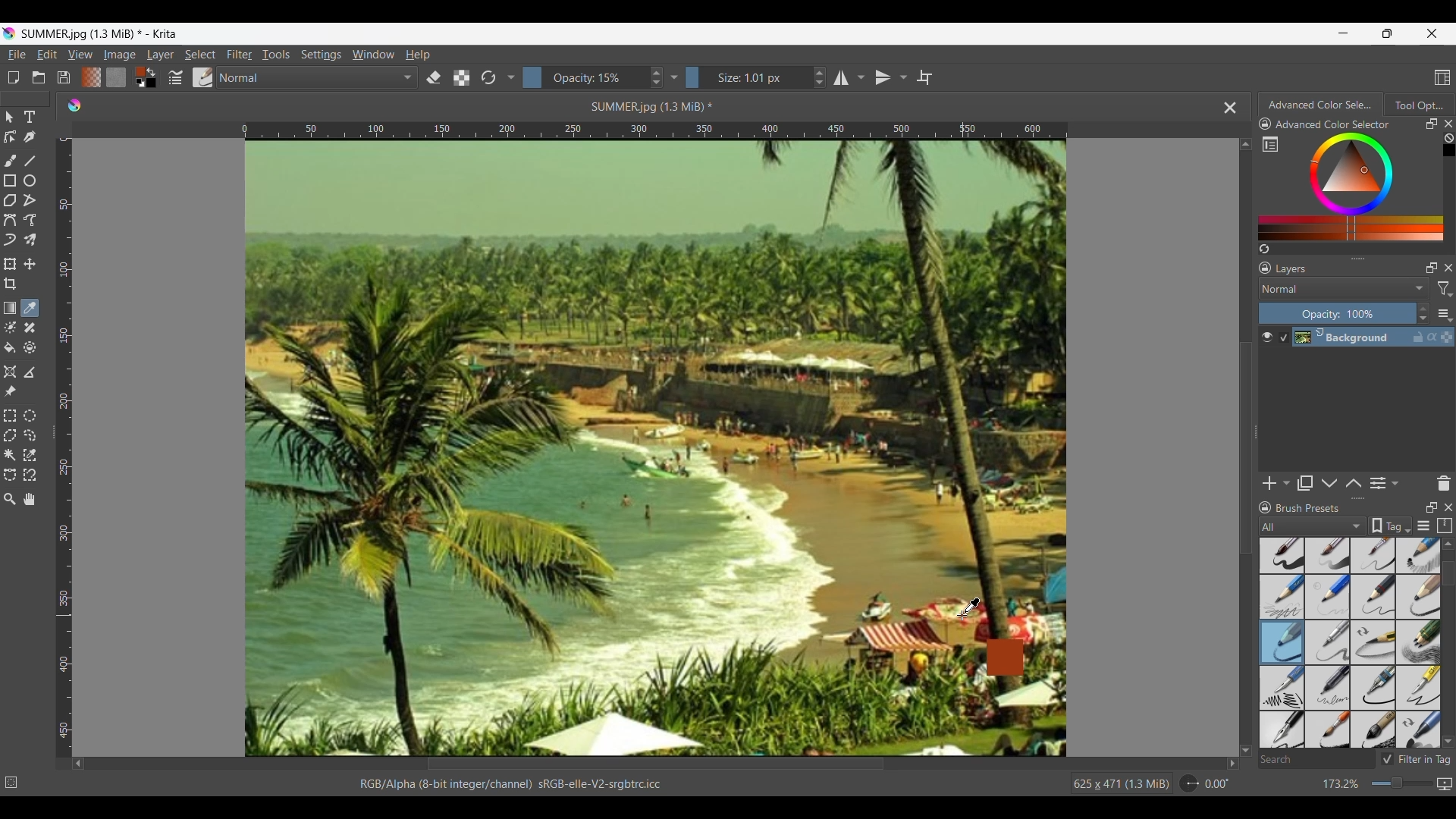 This screenshot has height=819, width=1456. I want to click on Vertical slide bar, so click(1246, 448).